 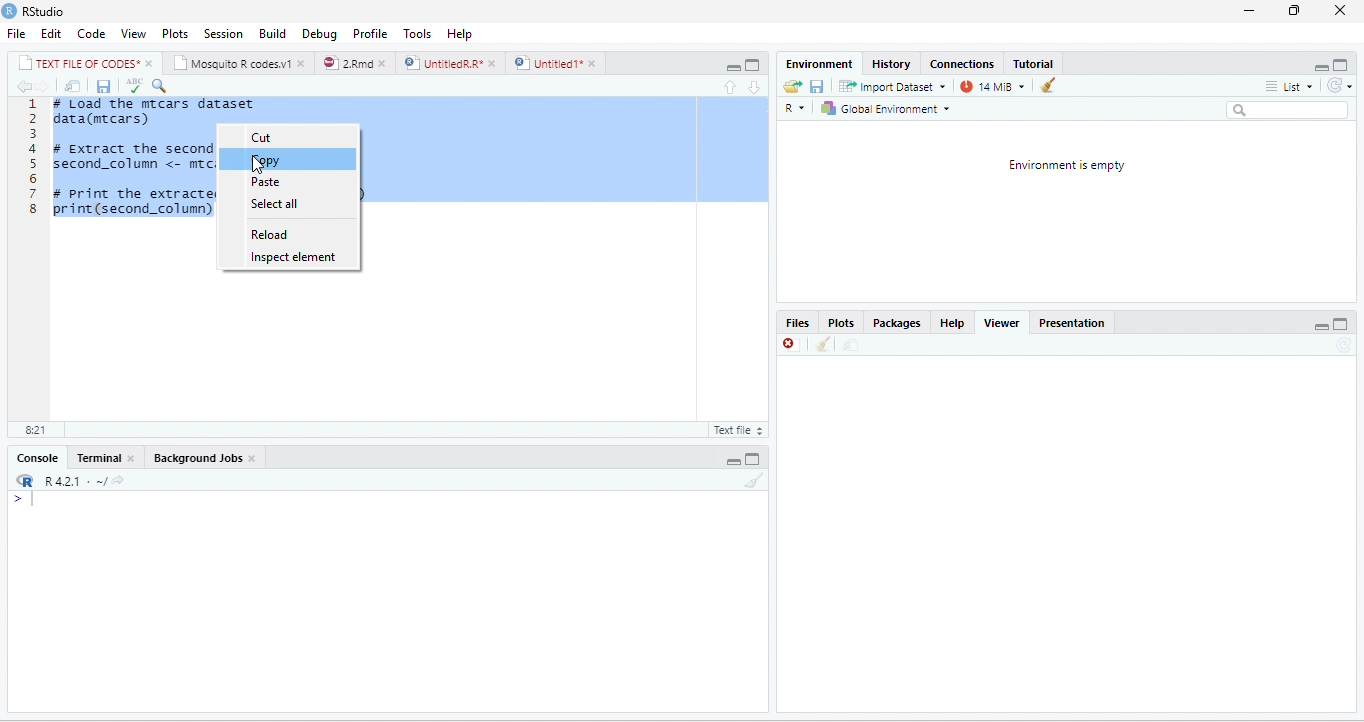 I want to click on move, so click(x=73, y=86).